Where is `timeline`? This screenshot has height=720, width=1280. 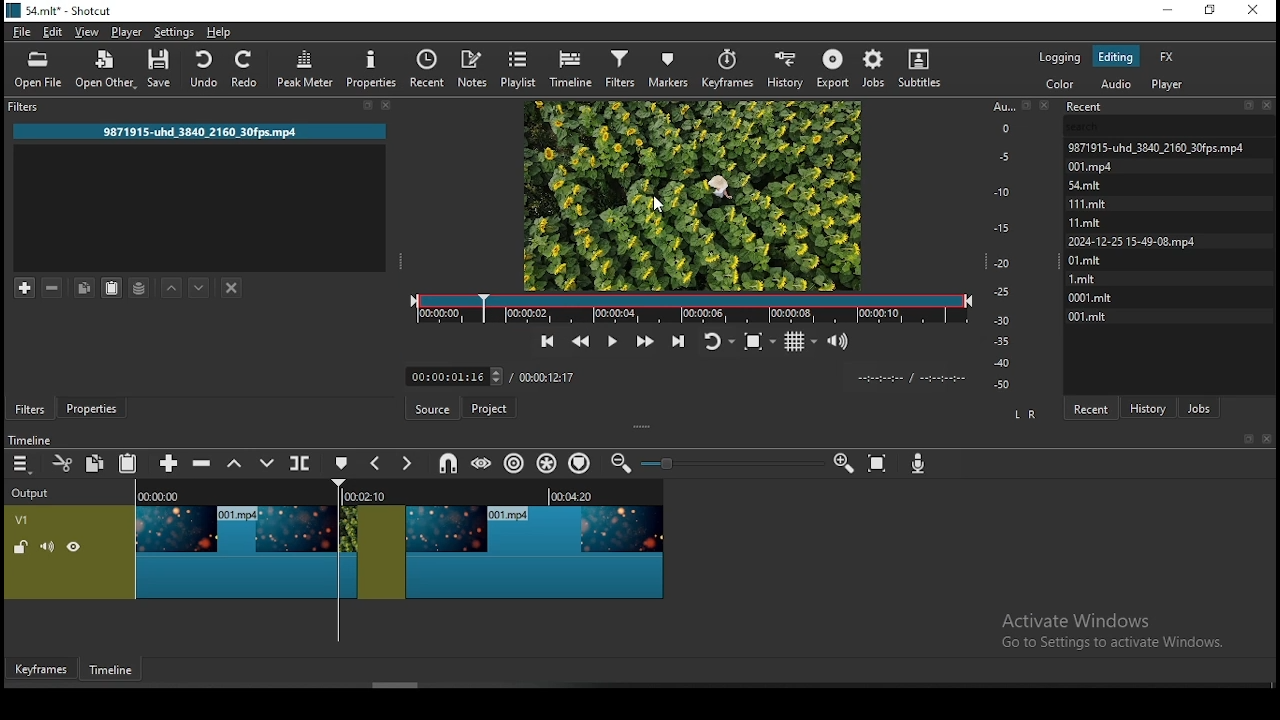 timeline is located at coordinates (29, 440).